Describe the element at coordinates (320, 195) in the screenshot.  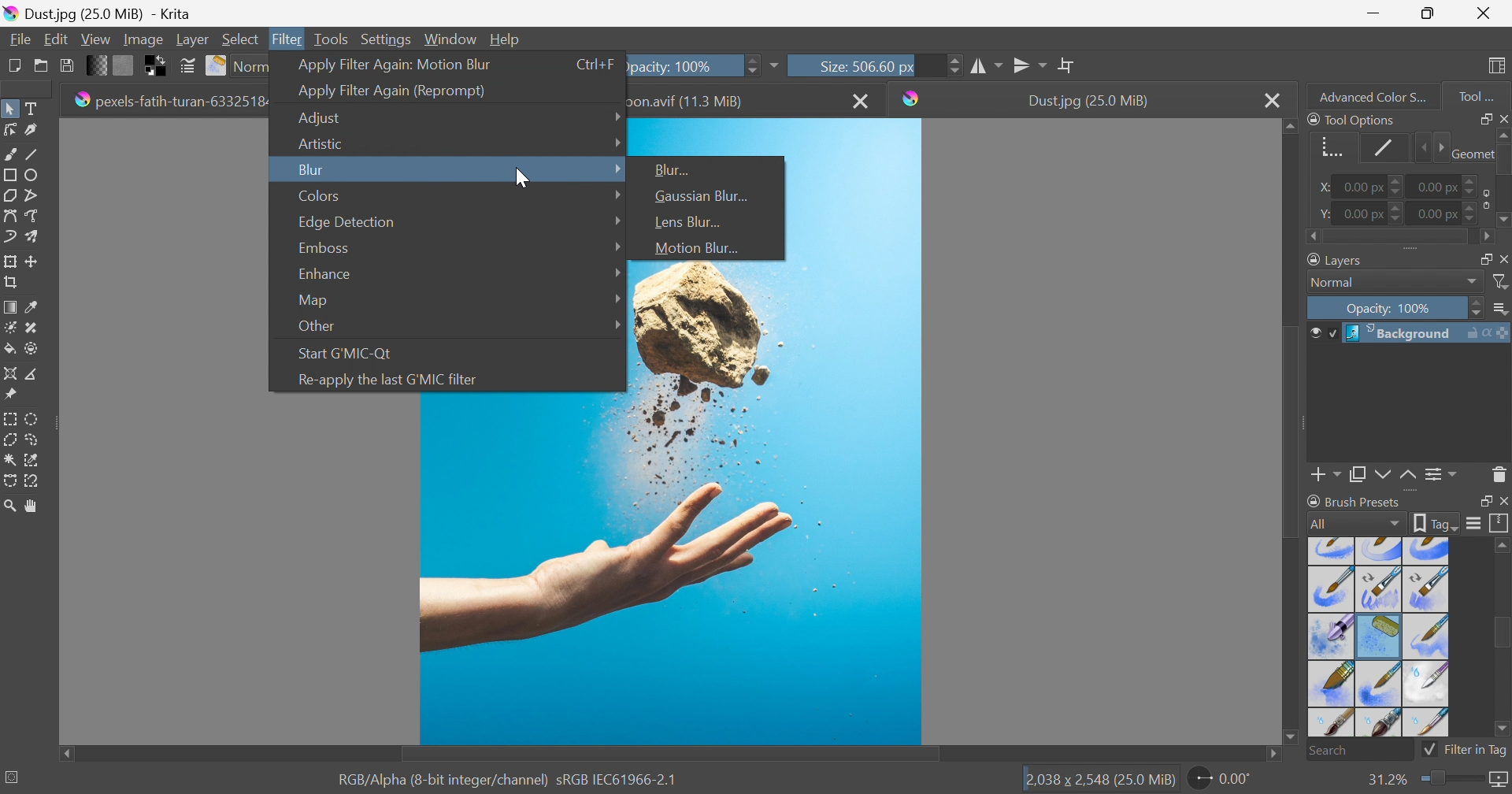
I see `Colors` at that location.